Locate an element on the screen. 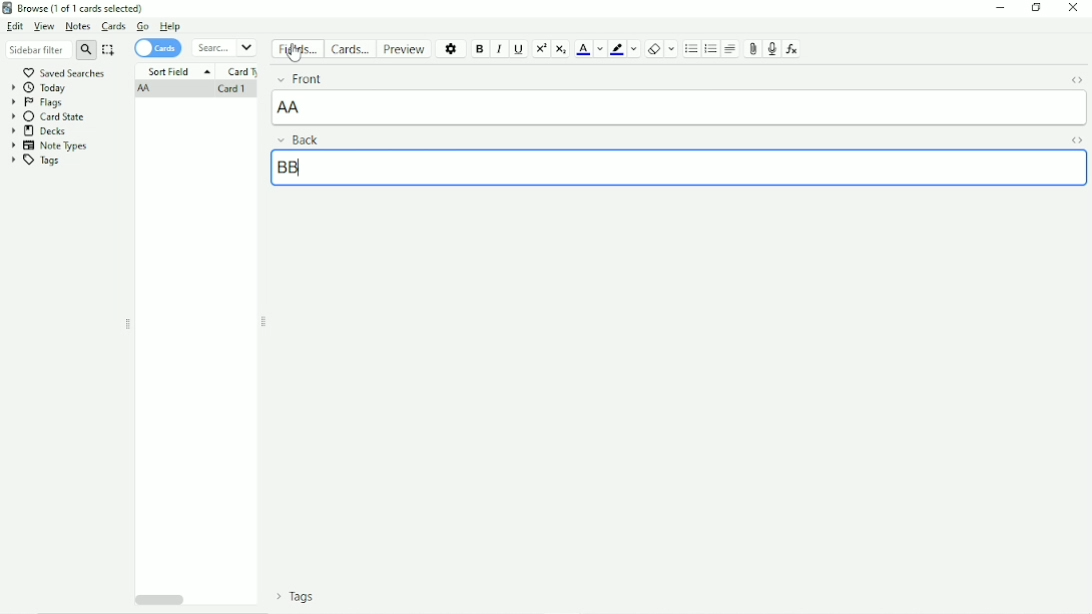  Attach picture/audio/video is located at coordinates (751, 49).